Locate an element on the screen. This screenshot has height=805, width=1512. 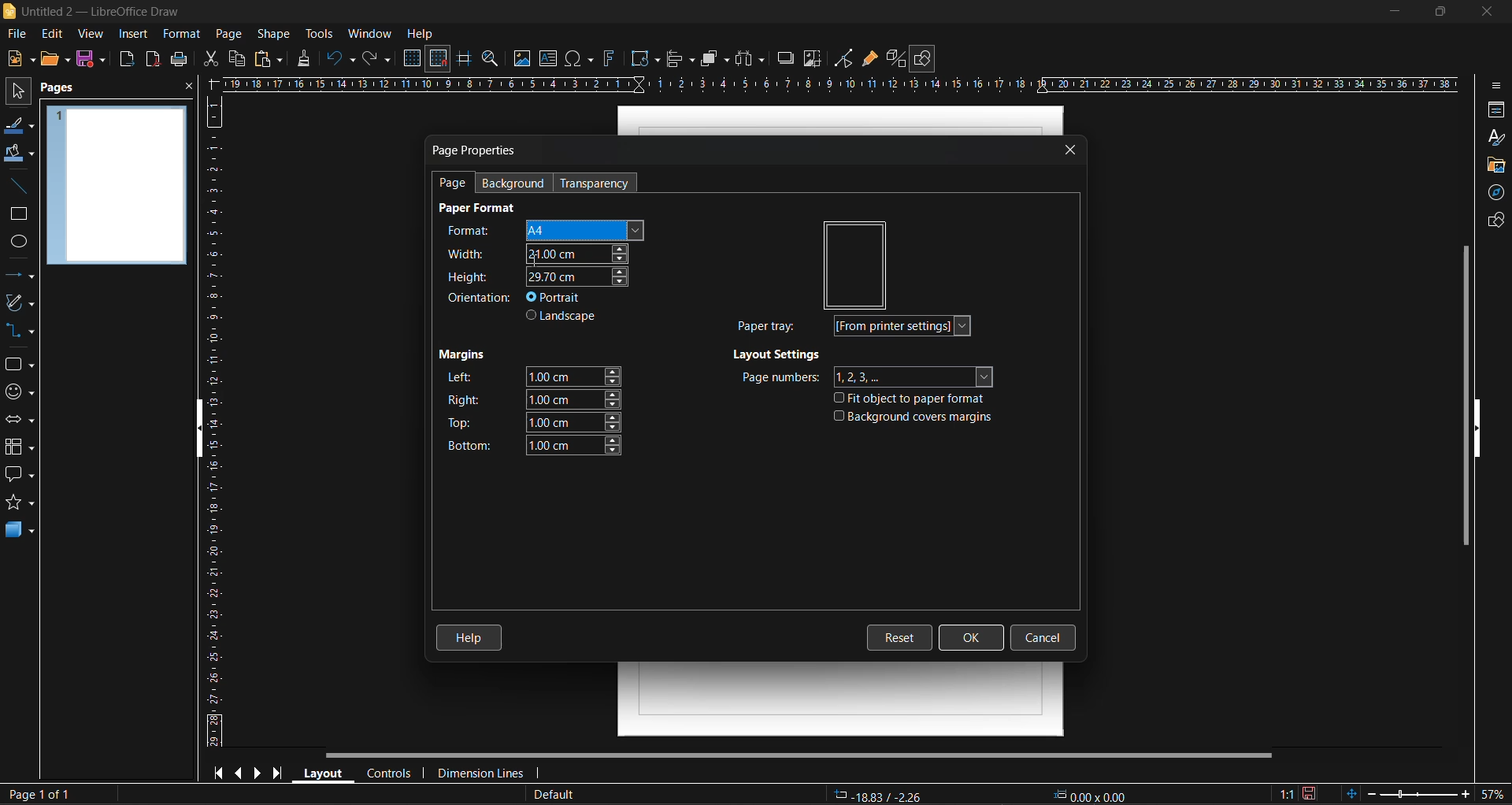
zoom factor is located at coordinates (1492, 795).